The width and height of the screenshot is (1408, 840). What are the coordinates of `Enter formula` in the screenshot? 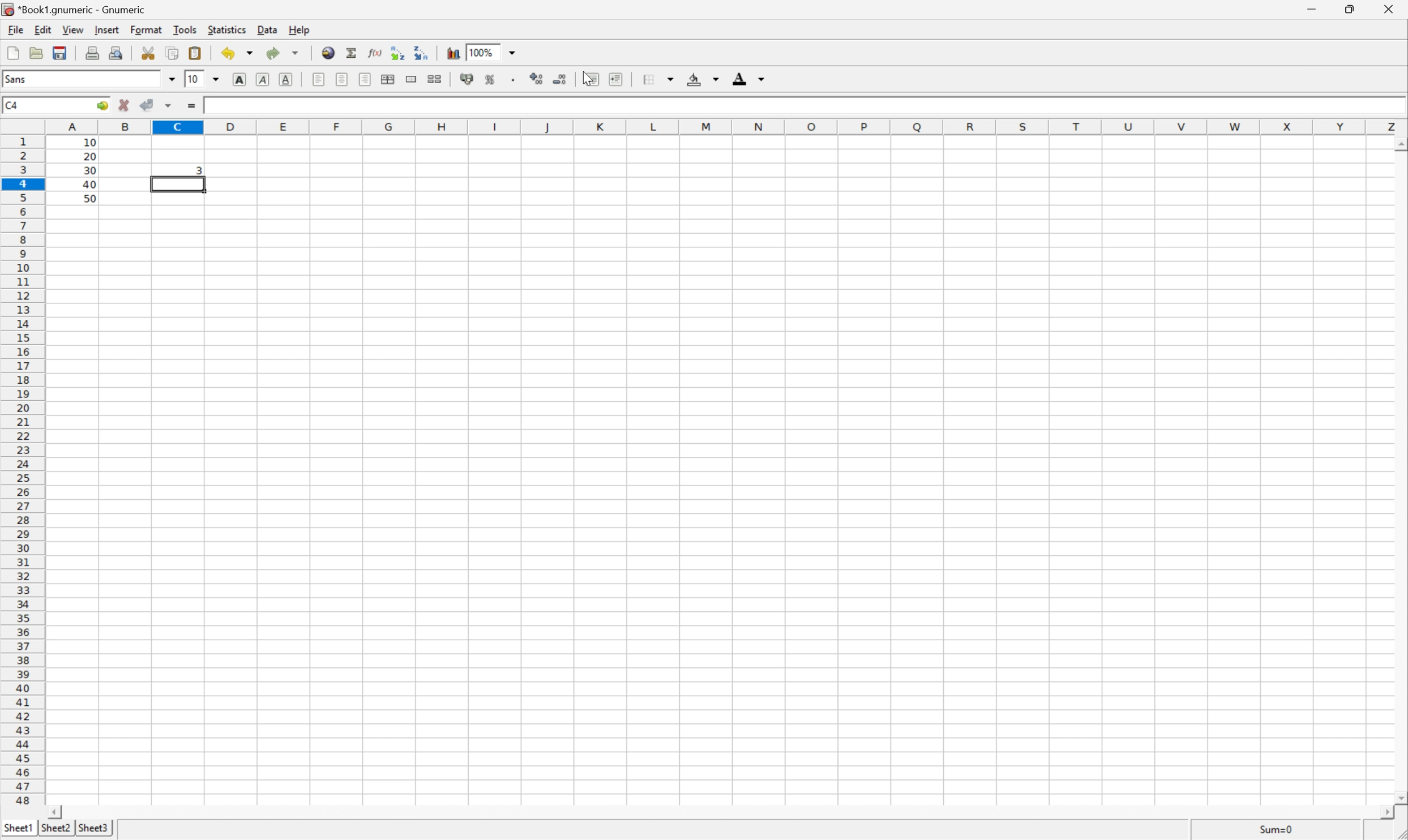 It's located at (191, 106).